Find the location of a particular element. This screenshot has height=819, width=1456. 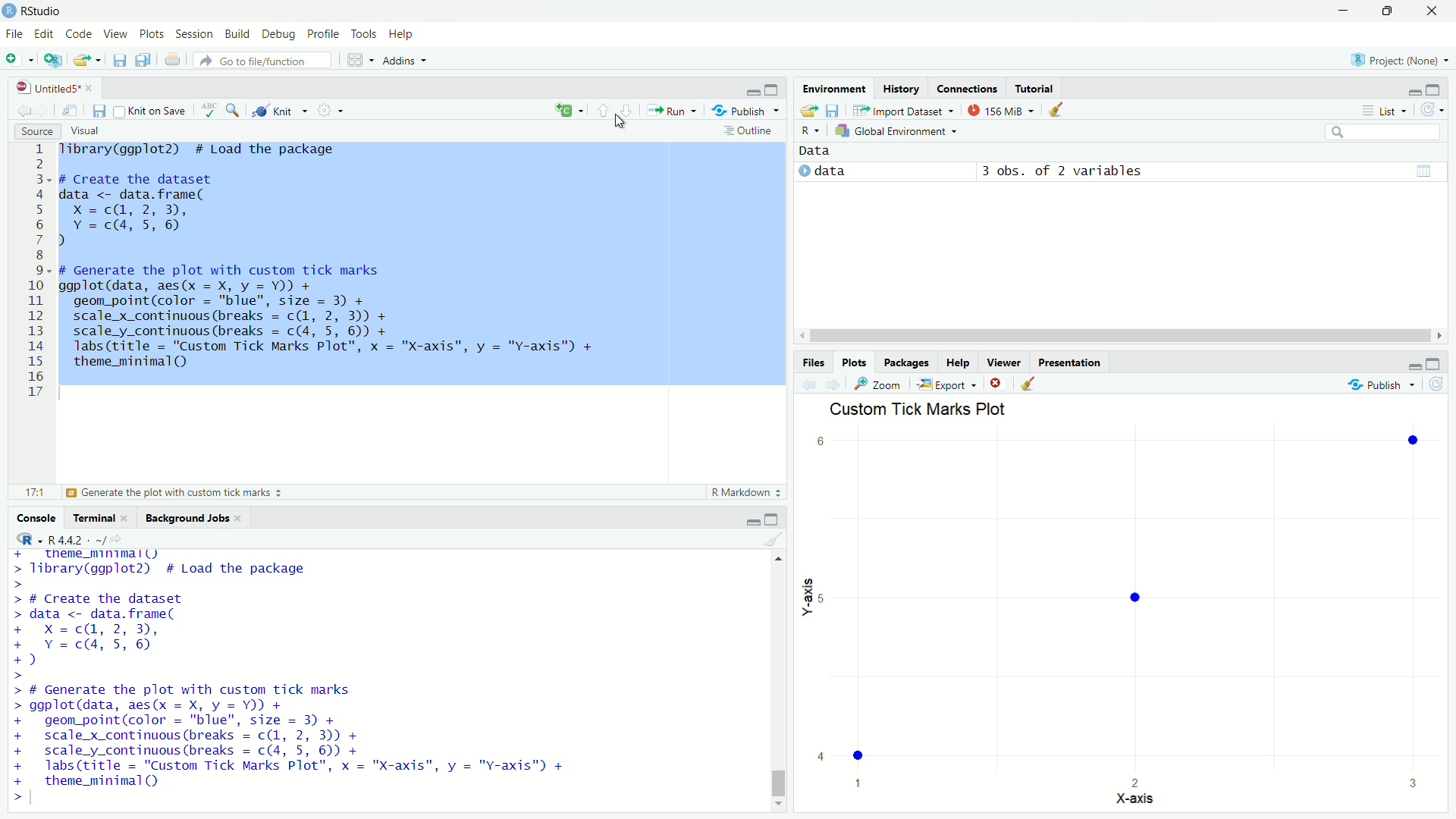

go forward to the next source location is located at coordinates (45, 110).